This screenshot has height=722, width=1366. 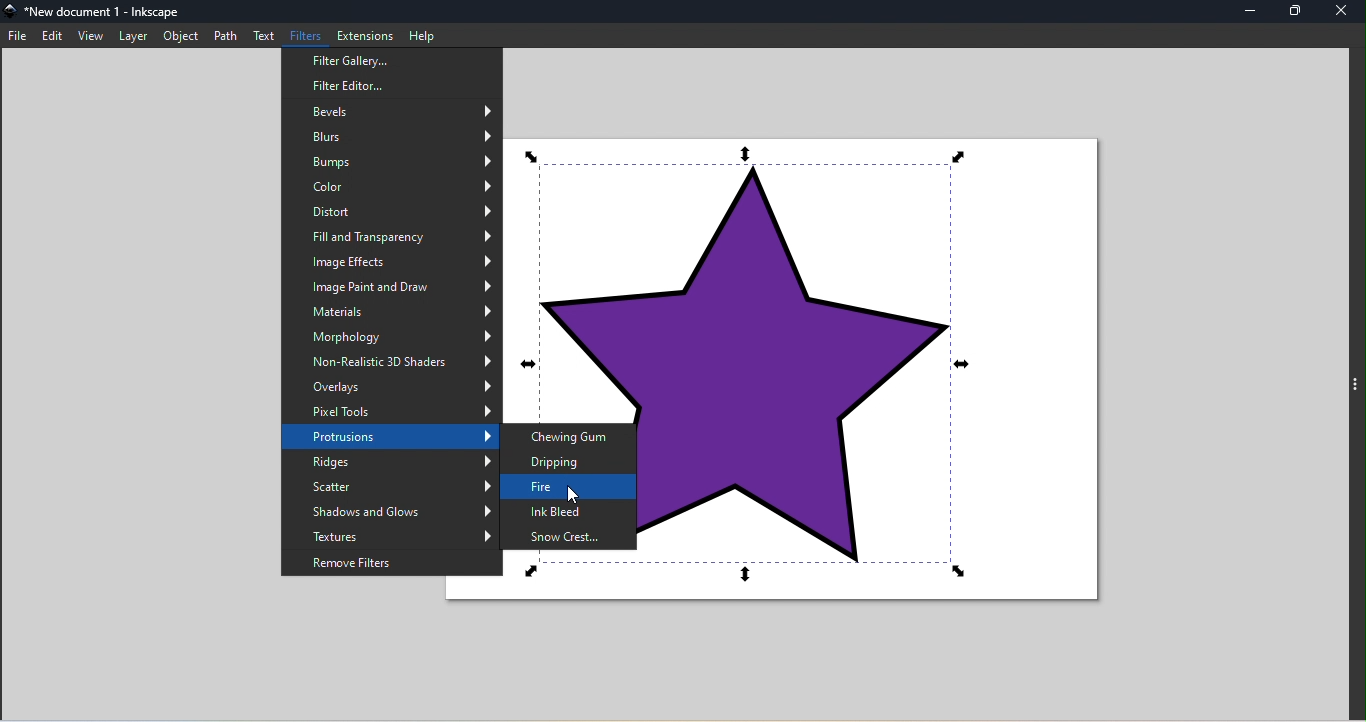 I want to click on File name, so click(x=102, y=11).